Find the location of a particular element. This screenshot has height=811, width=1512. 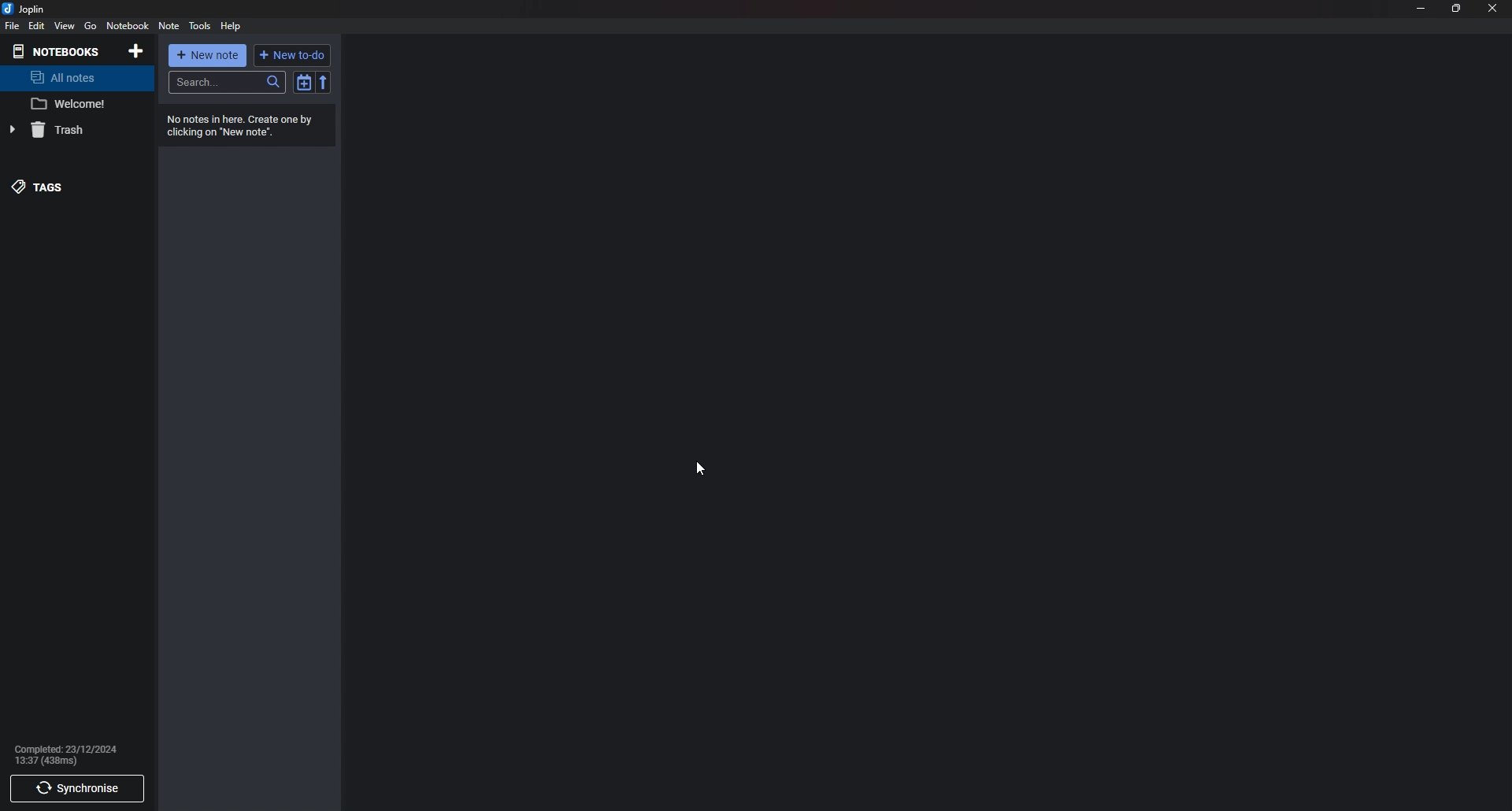

Synchronize is located at coordinates (74, 790).